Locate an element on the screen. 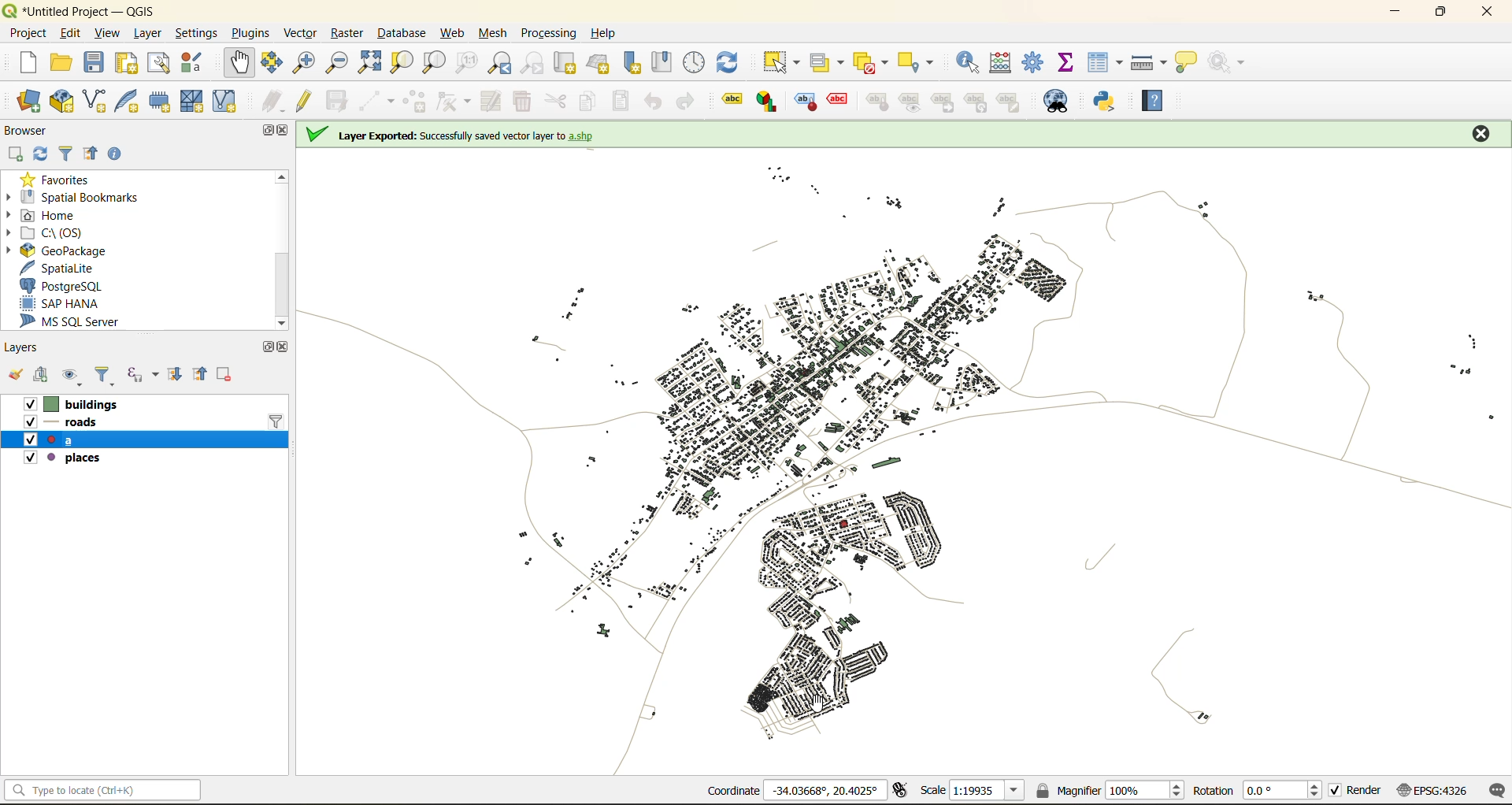 The height and width of the screenshot is (805, 1512). maximize is located at coordinates (1440, 13).